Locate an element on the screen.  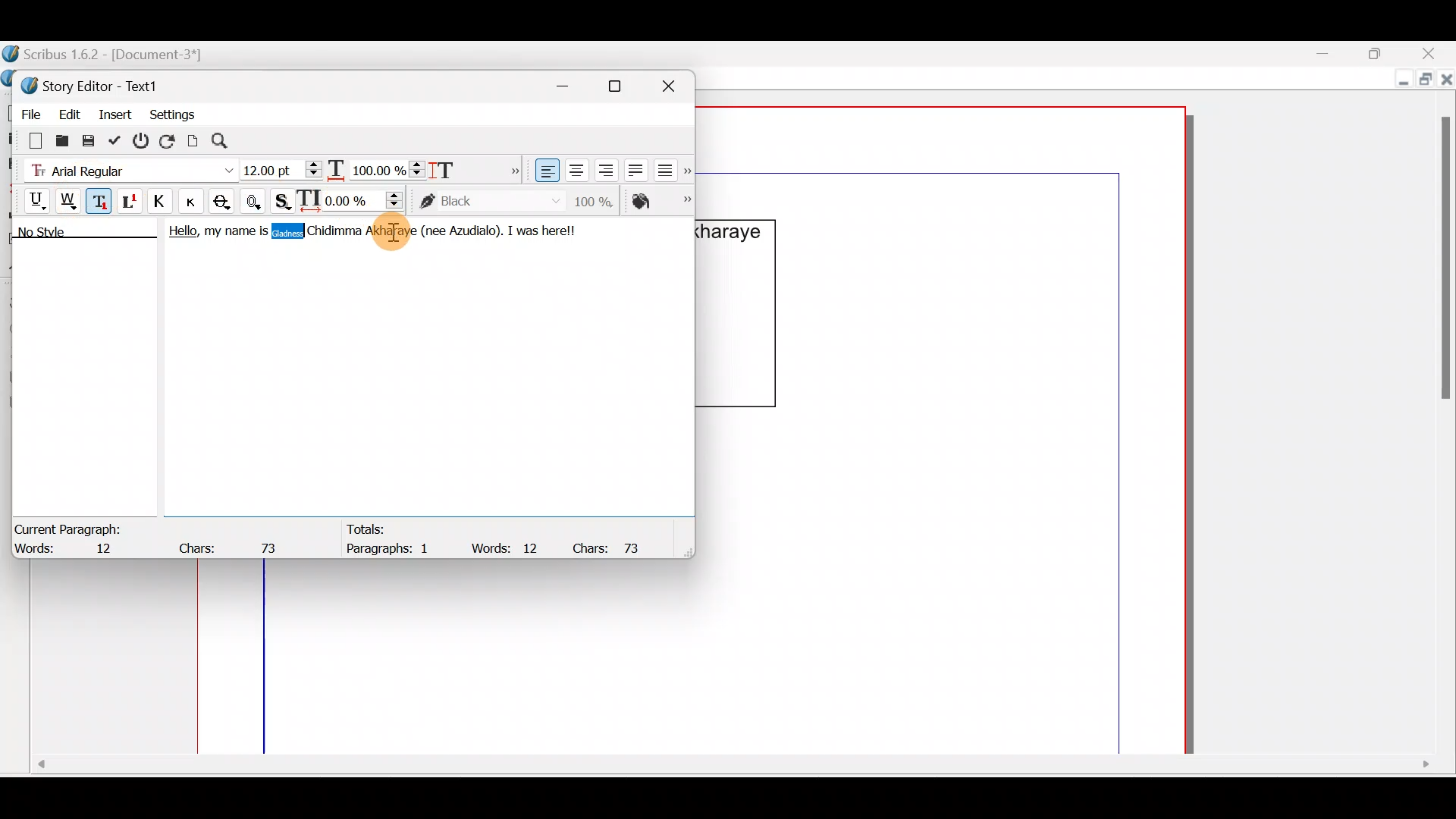
my name is is located at coordinates (235, 234).